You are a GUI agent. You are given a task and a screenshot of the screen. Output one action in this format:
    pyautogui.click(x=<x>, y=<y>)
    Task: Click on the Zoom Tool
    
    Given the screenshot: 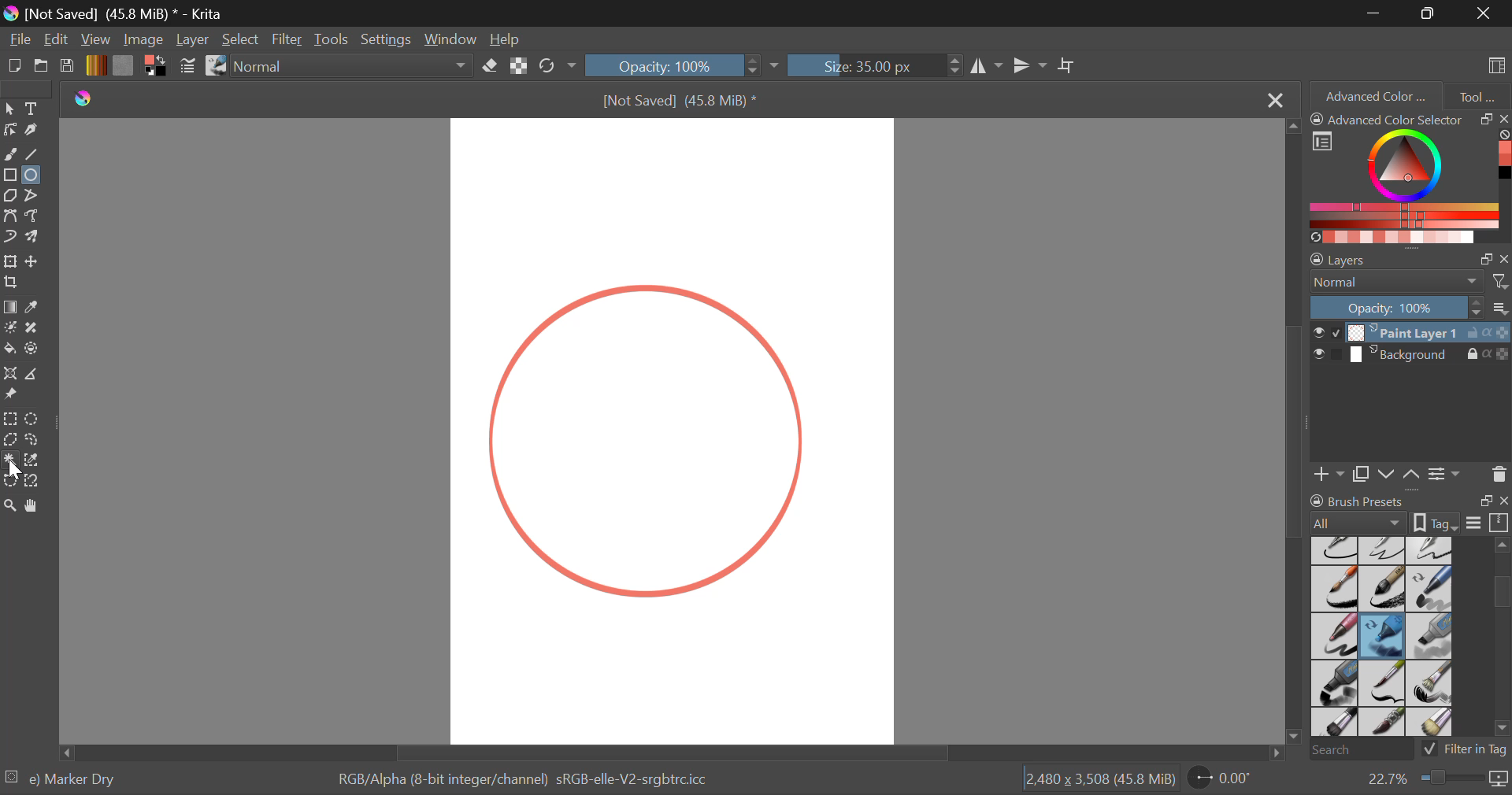 What is the action you would take?
    pyautogui.click(x=10, y=505)
    